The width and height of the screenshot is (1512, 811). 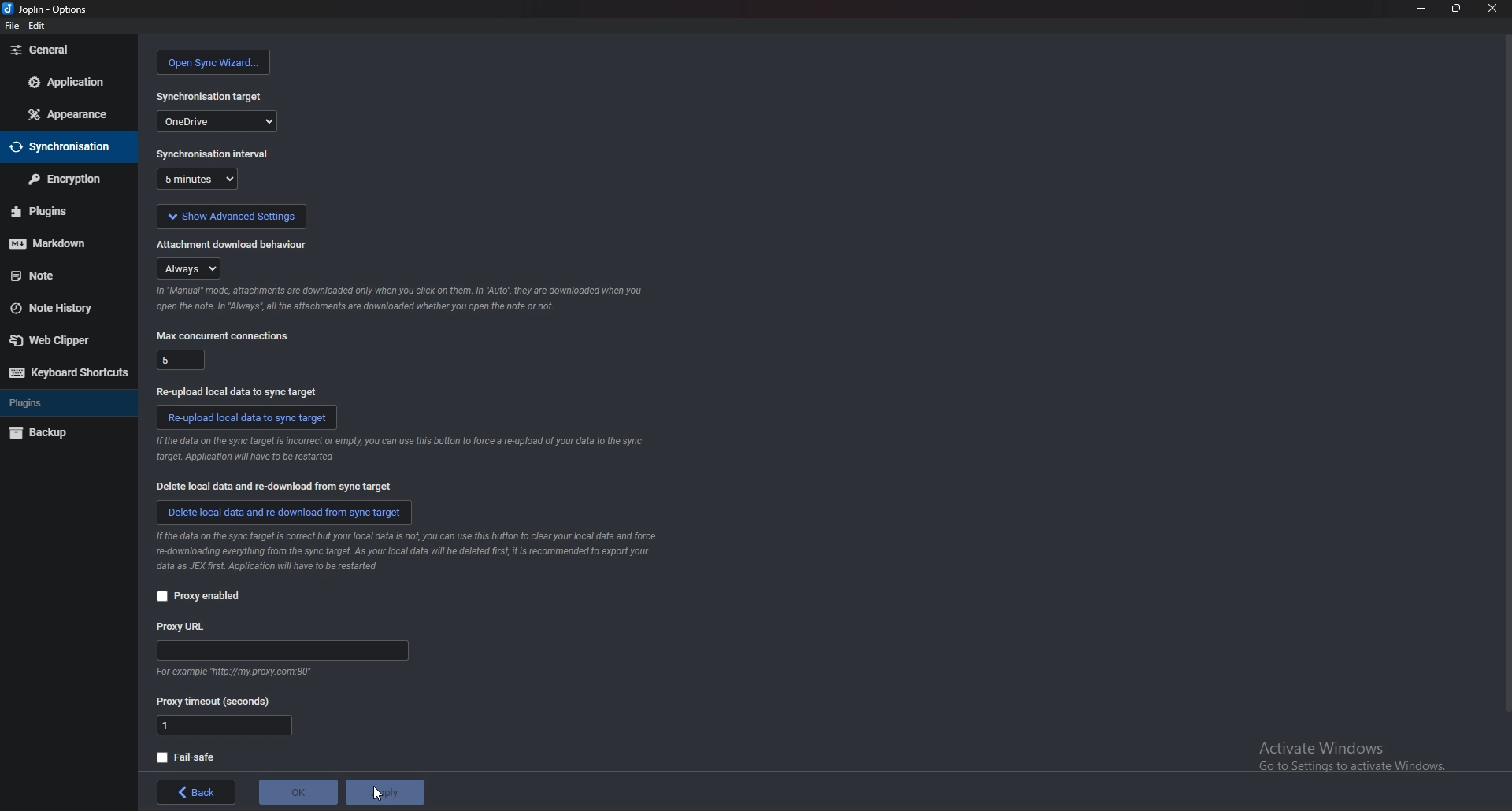 I want to click on apply, so click(x=385, y=791).